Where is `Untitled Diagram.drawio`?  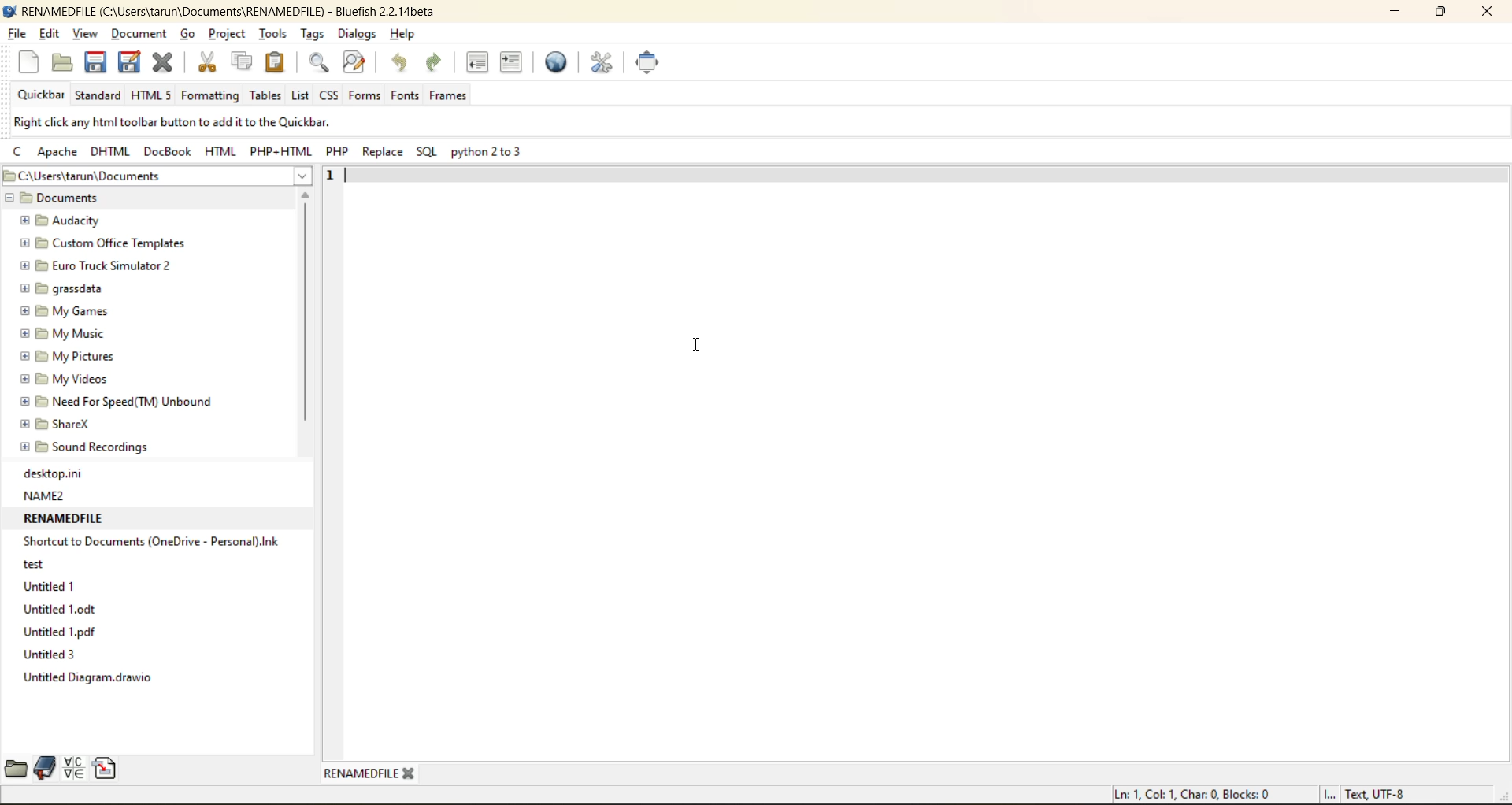 Untitled Diagram.drawio is located at coordinates (86, 677).